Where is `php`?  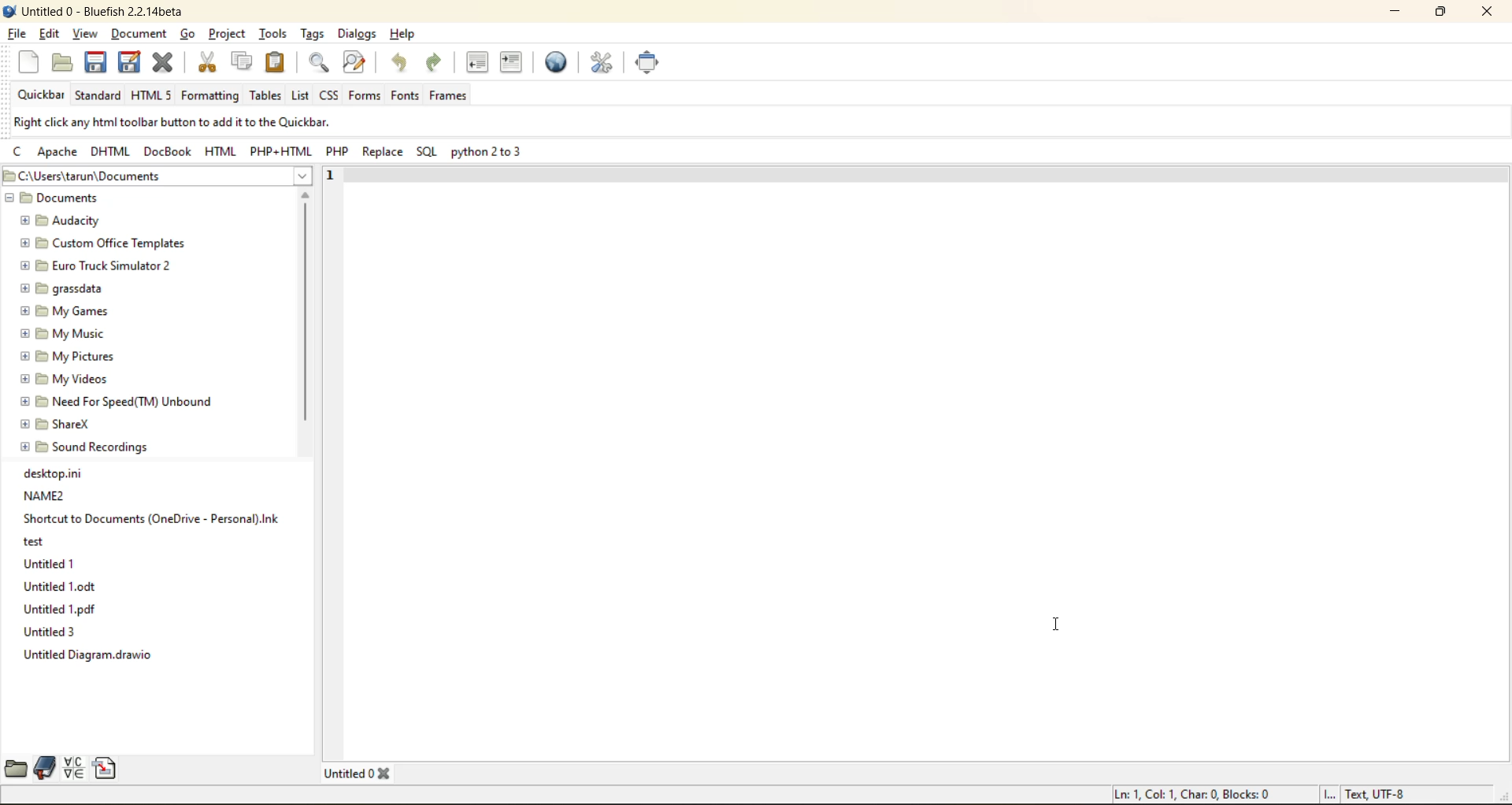
php is located at coordinates (338, 153).